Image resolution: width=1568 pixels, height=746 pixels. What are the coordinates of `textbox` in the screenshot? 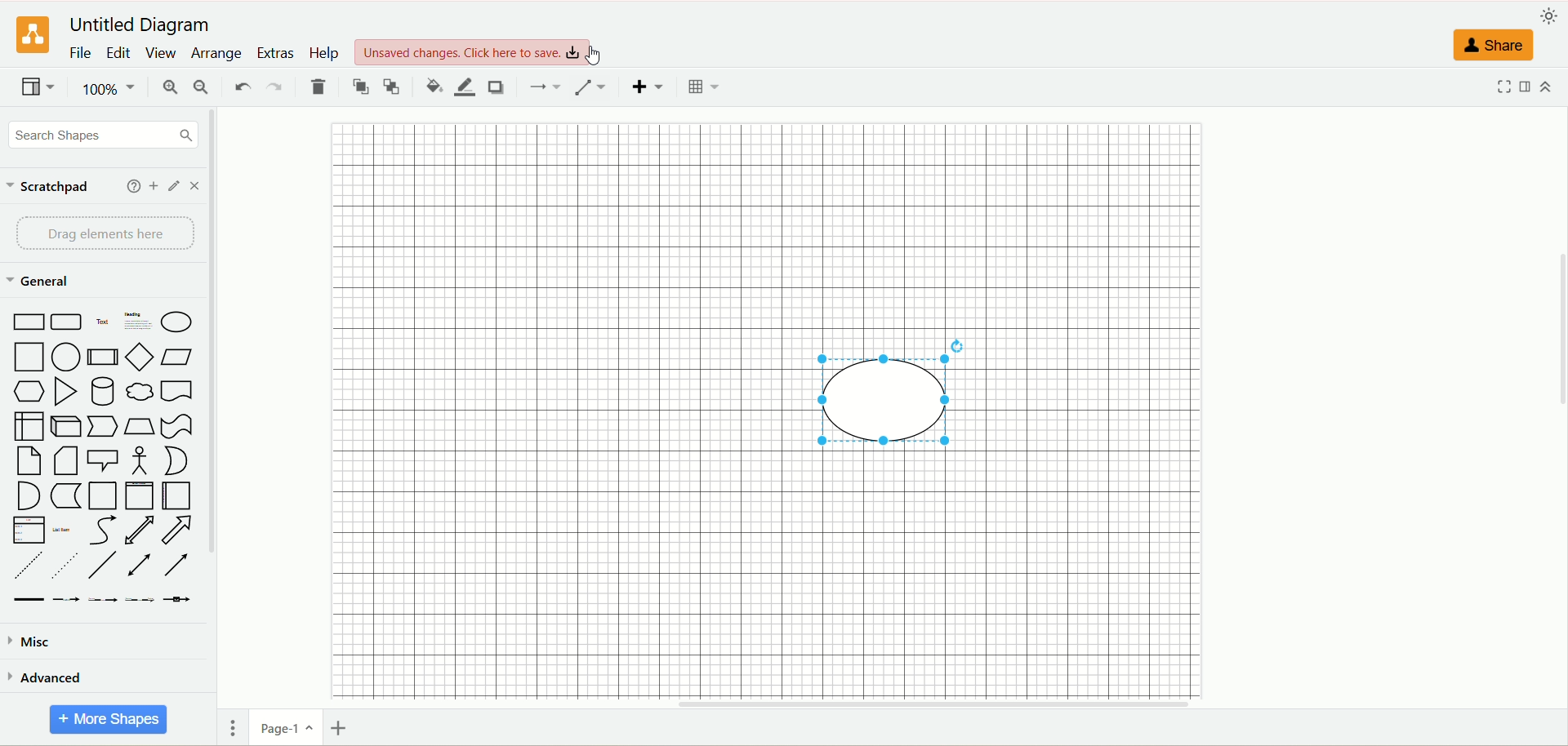 It's located at (137, 323).